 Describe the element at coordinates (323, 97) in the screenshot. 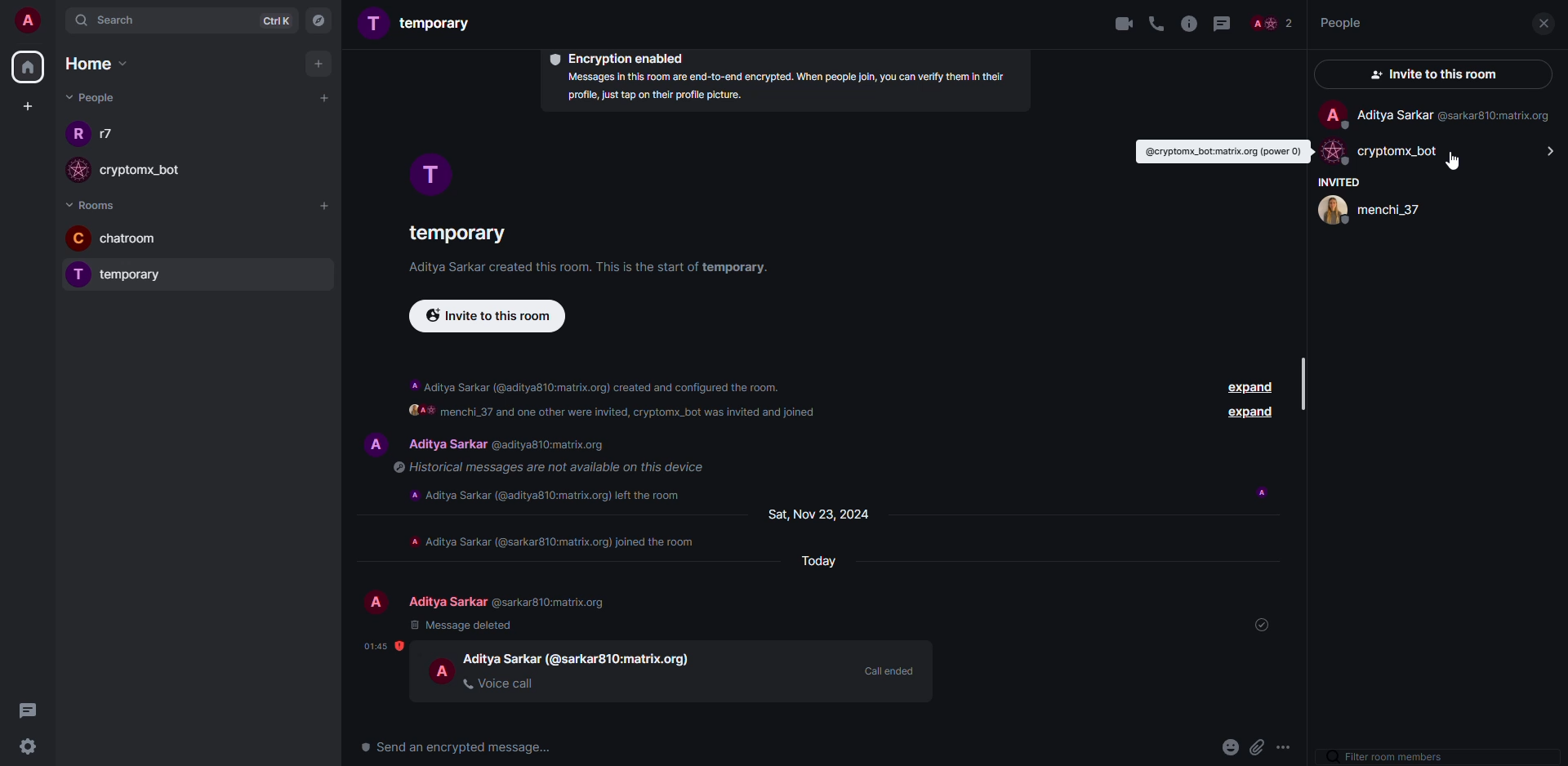

I see `start chat` at that location.